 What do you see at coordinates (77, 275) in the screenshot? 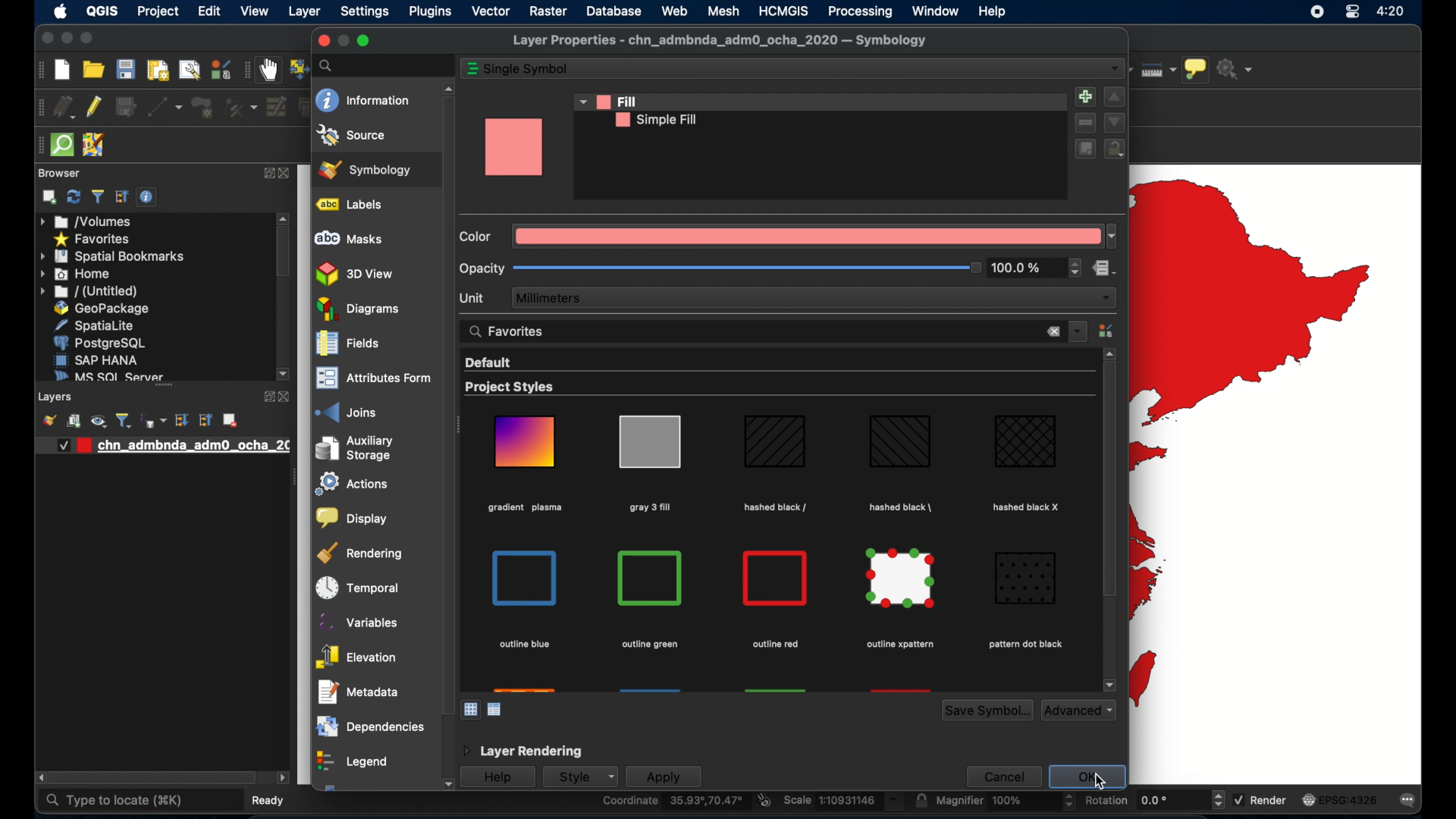
I see `home menu` at bounding box center [77, 275].